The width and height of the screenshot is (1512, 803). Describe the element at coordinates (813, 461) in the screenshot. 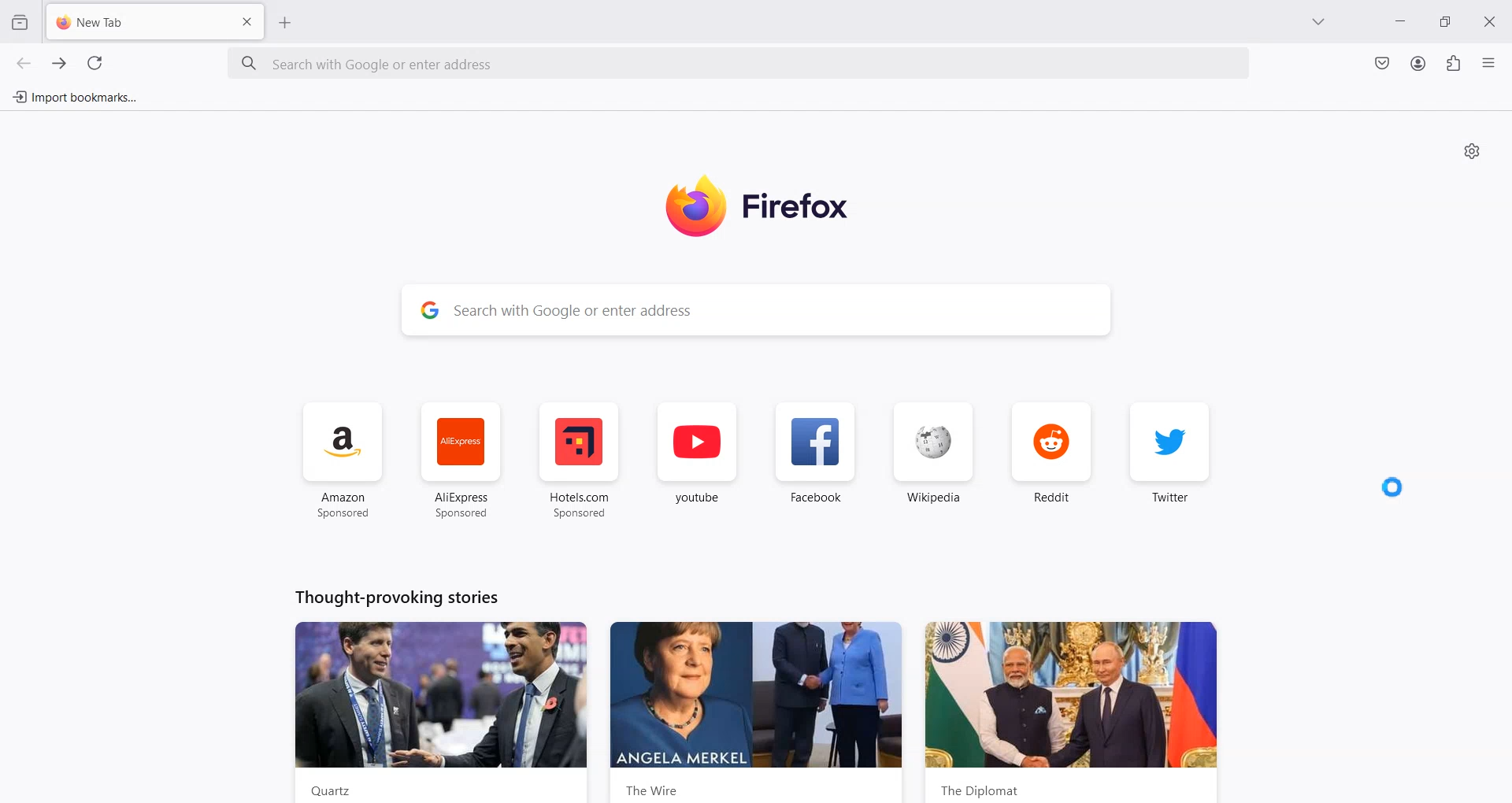

I see `Facebook` at that location.